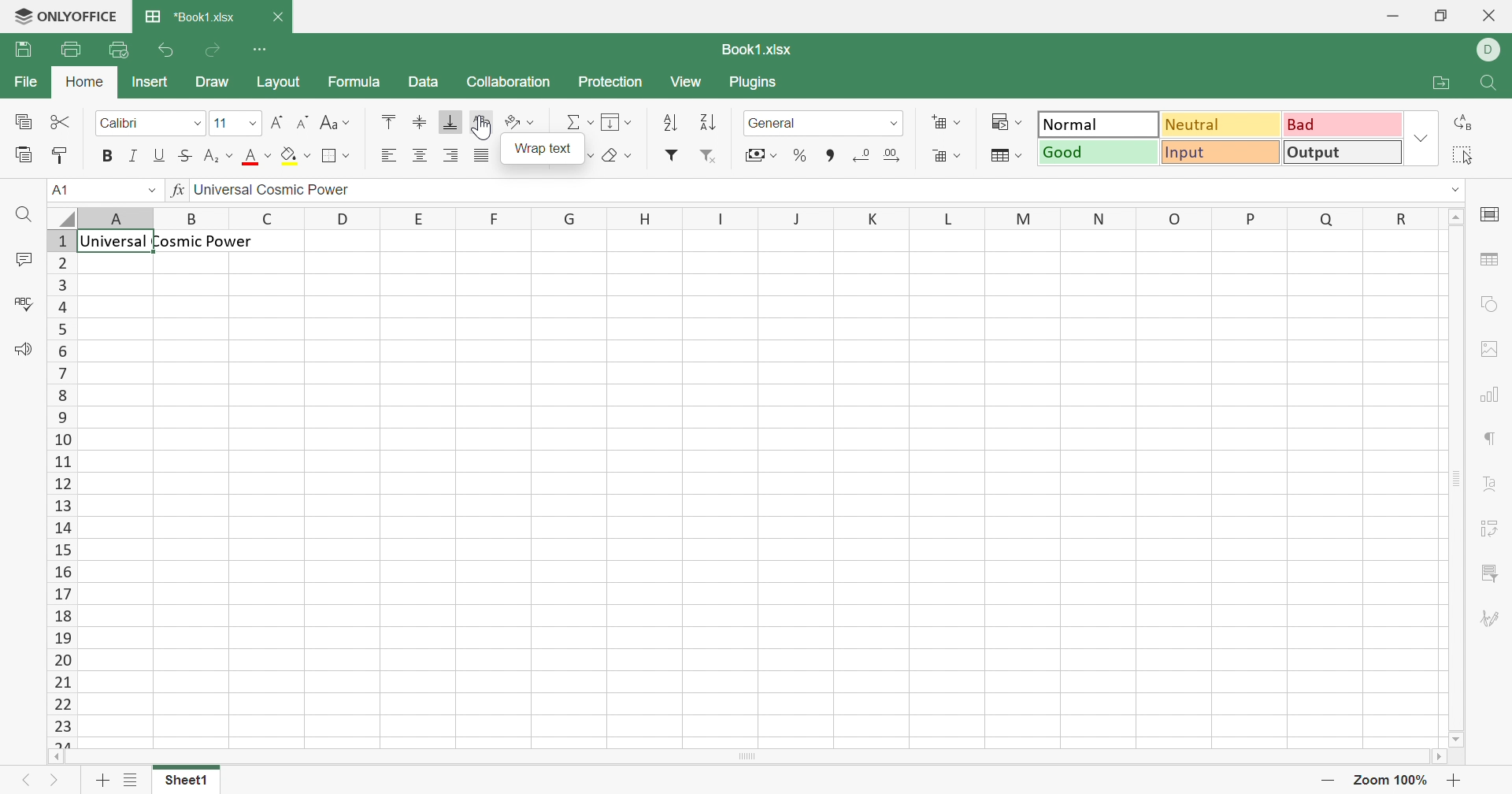  Describe the element at coordinates (453, 122) in the screenshot. I see `Align Bottom` at that location.